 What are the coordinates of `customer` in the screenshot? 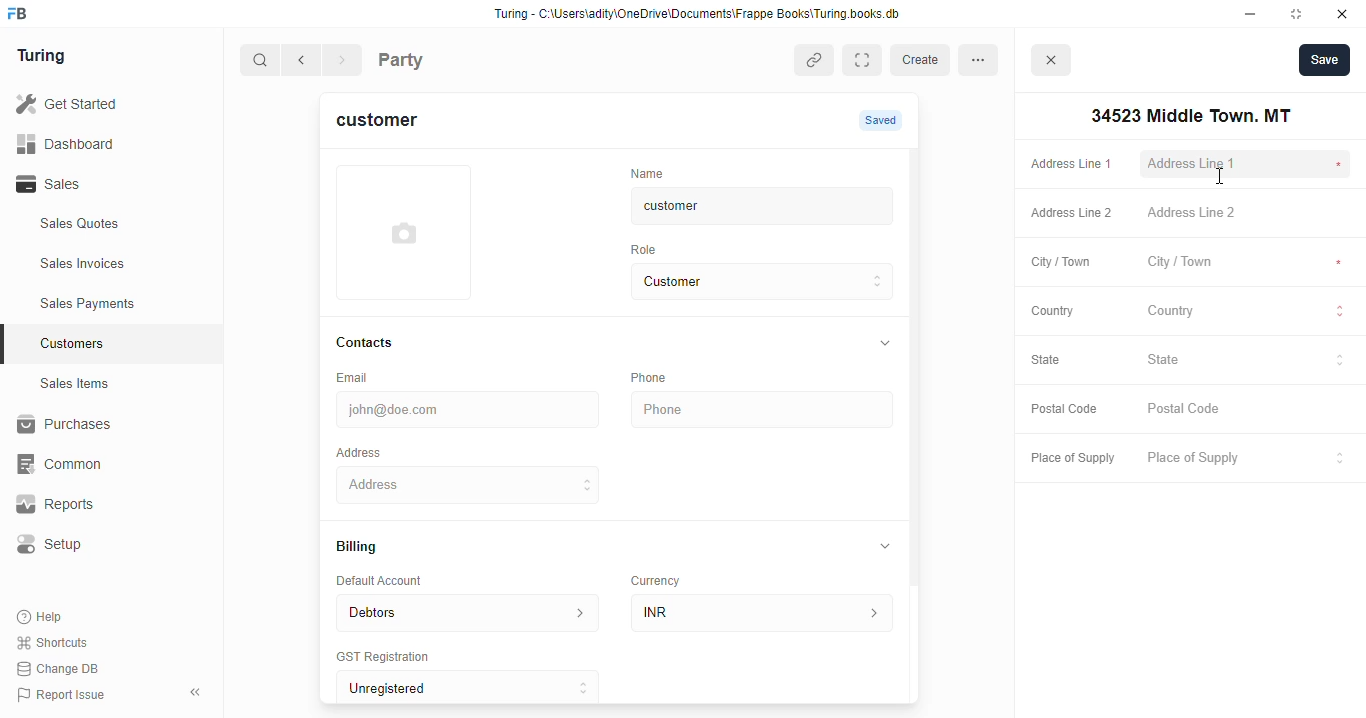 It's located at (389, 123).